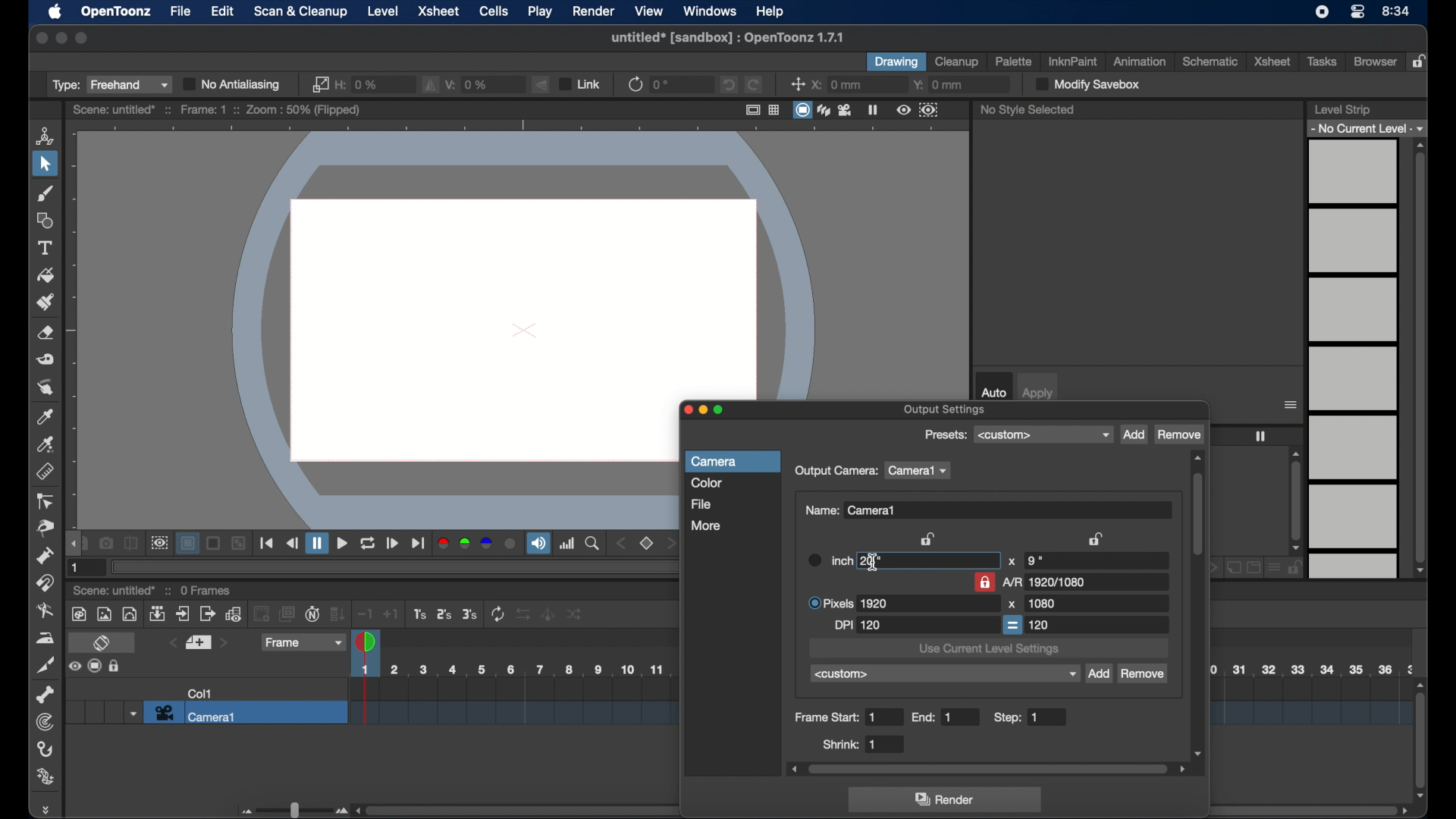 Image resolution: width=1456 pixels, height=819 pixels. What do you see at coordinates (1098, 674) in the screenshot?
I see `add` at bounding box center [1098, 674].